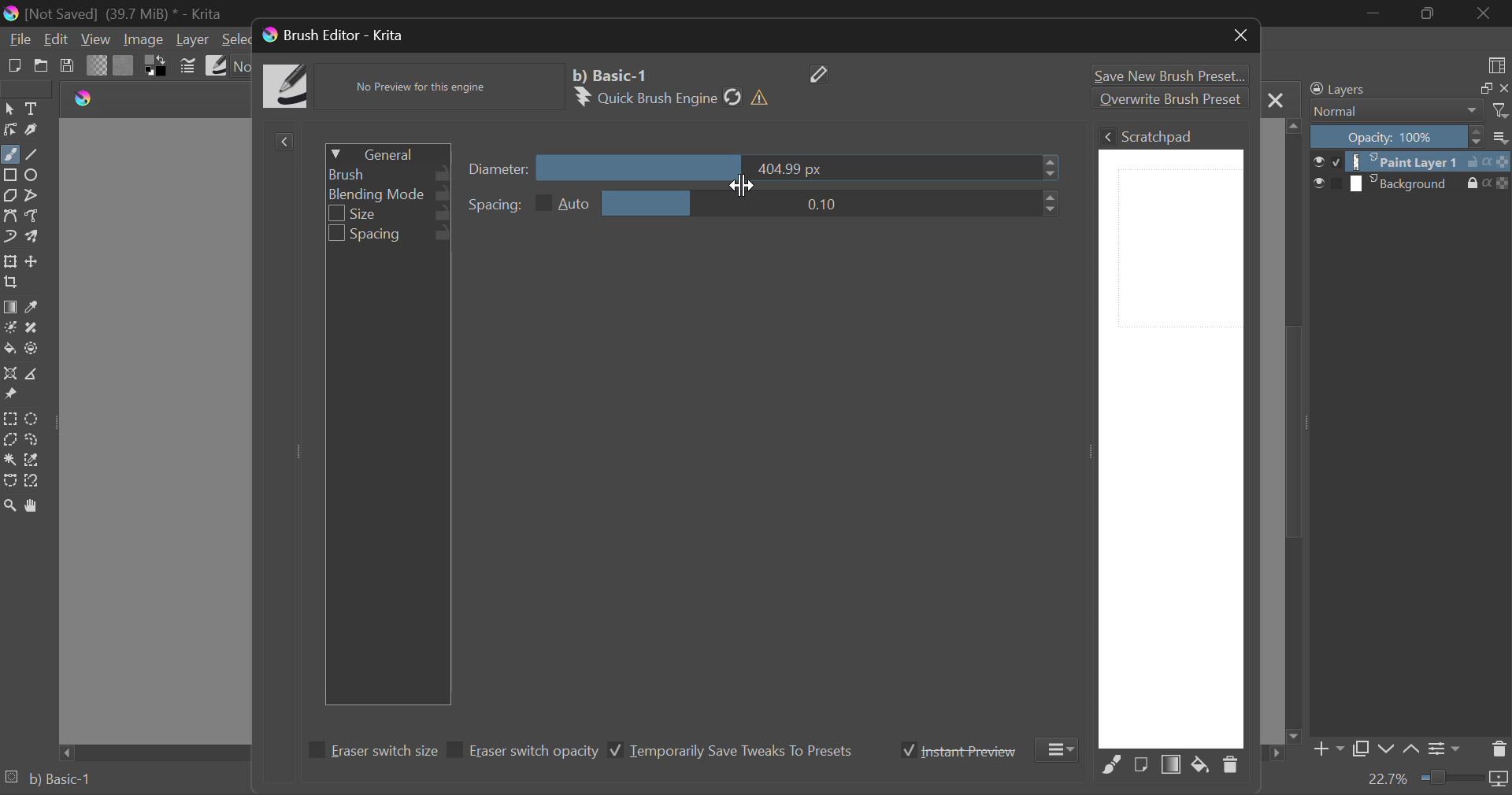 The image size is (1512, 795). What do you see at coordinates (31, 441) in the screenshot?
I see `Freehand Selection` at bounding box center [31, 441].